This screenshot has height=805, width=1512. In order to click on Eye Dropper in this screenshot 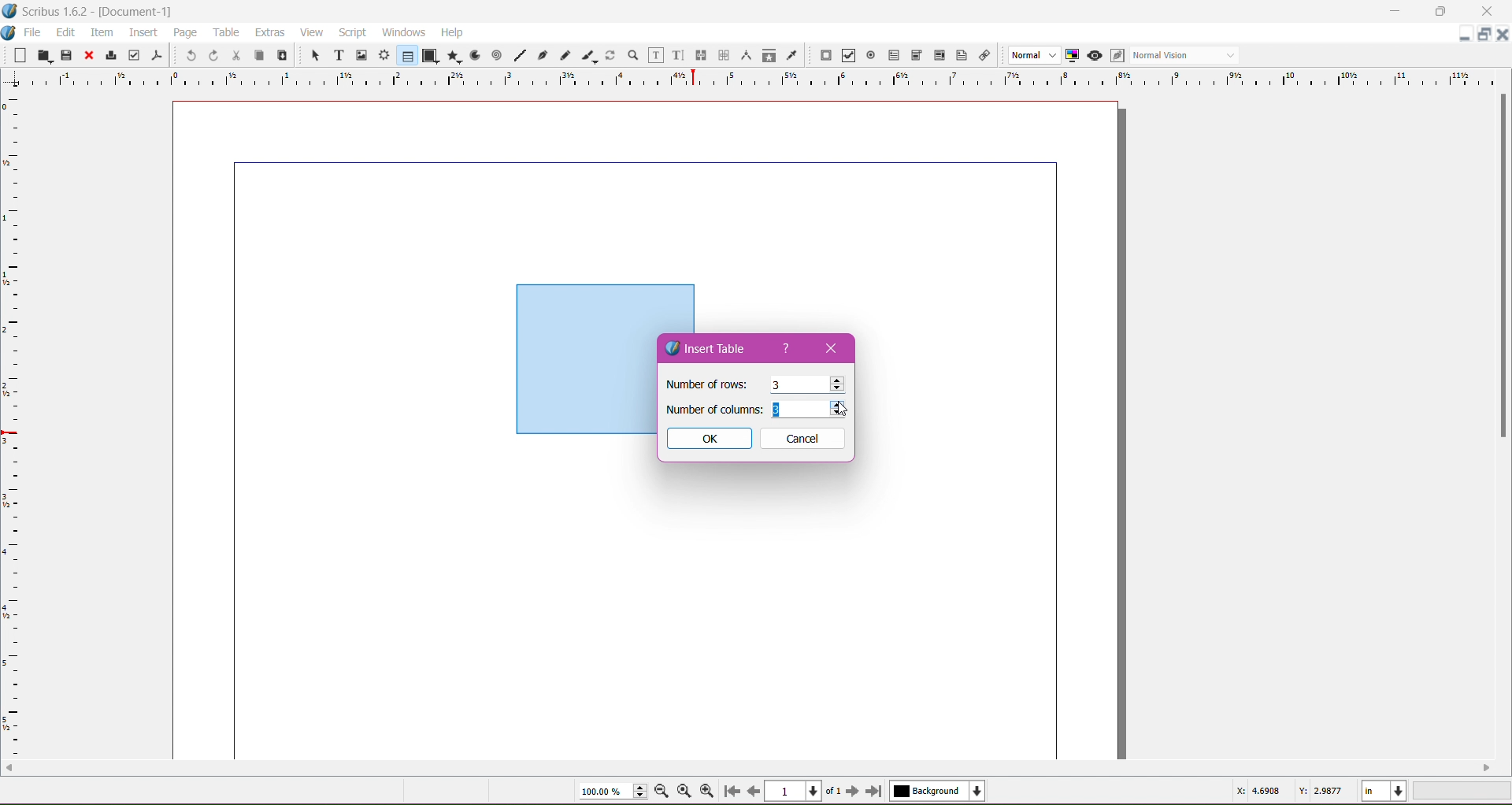, I will do `click(791, 55)`.